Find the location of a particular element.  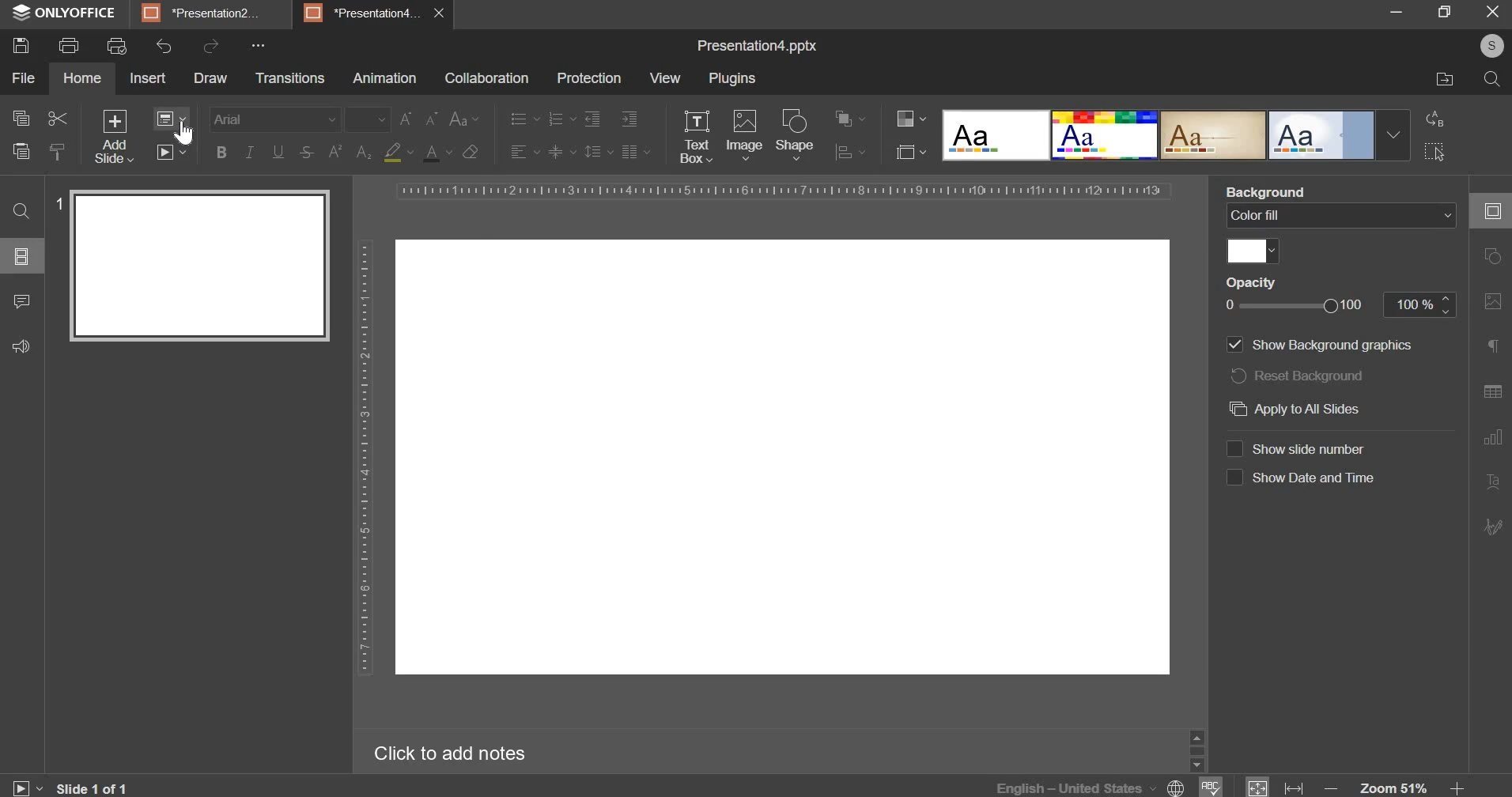

decrease indent is located at coordinates (591, 120).